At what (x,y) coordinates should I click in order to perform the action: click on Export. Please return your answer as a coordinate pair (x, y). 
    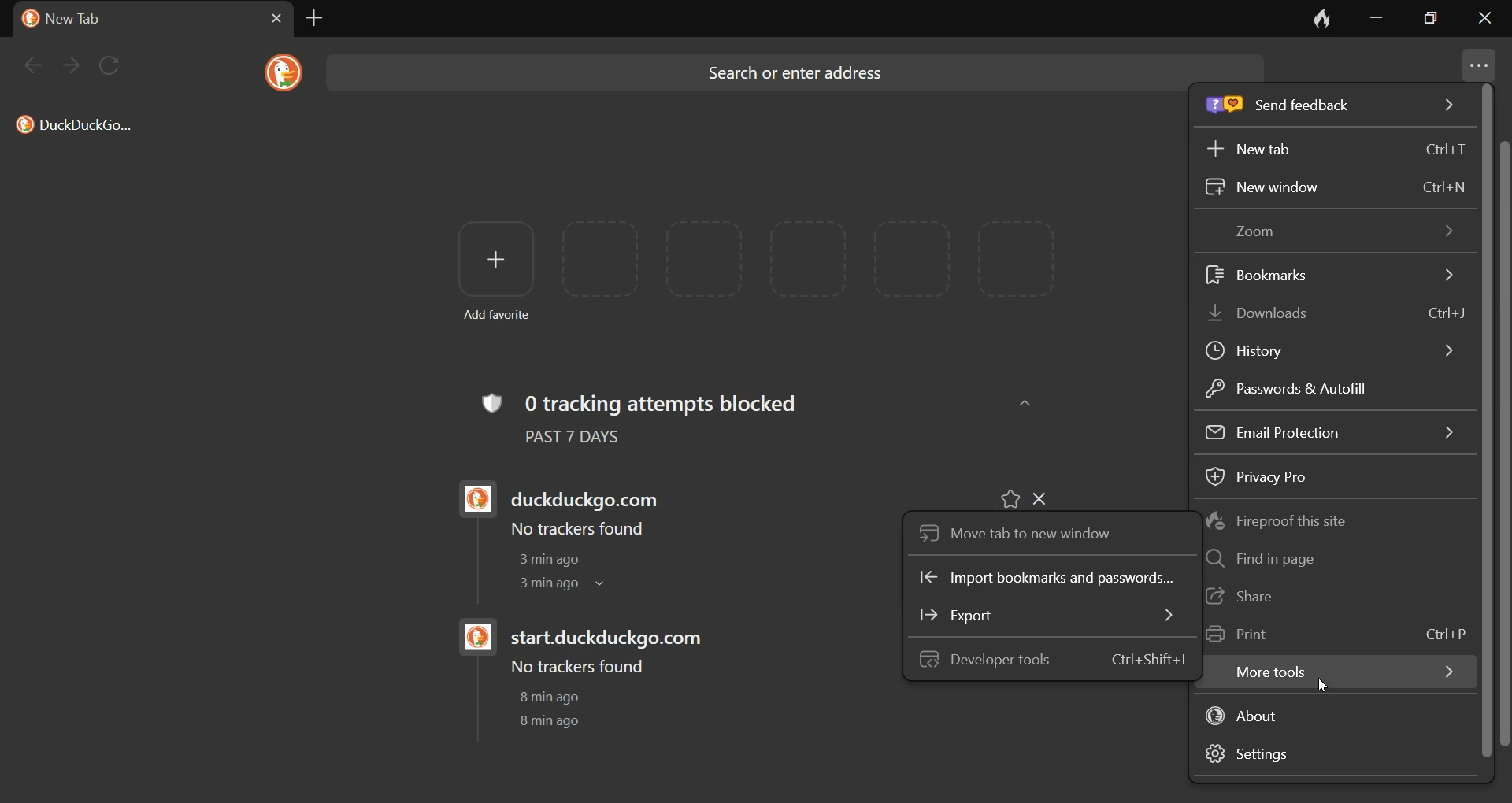
    Looking at the image, I should click on (1045, 616).